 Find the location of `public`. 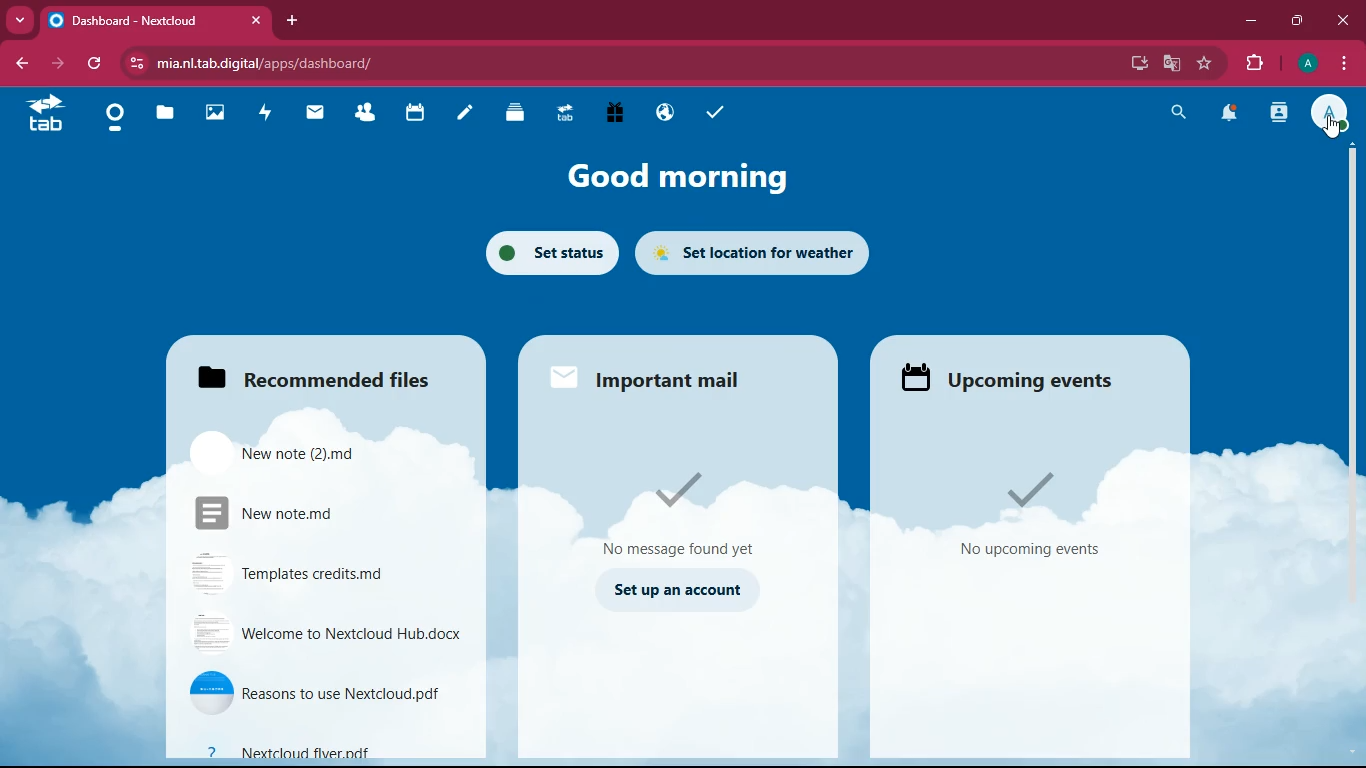

public is located at coordinates (661, 114).